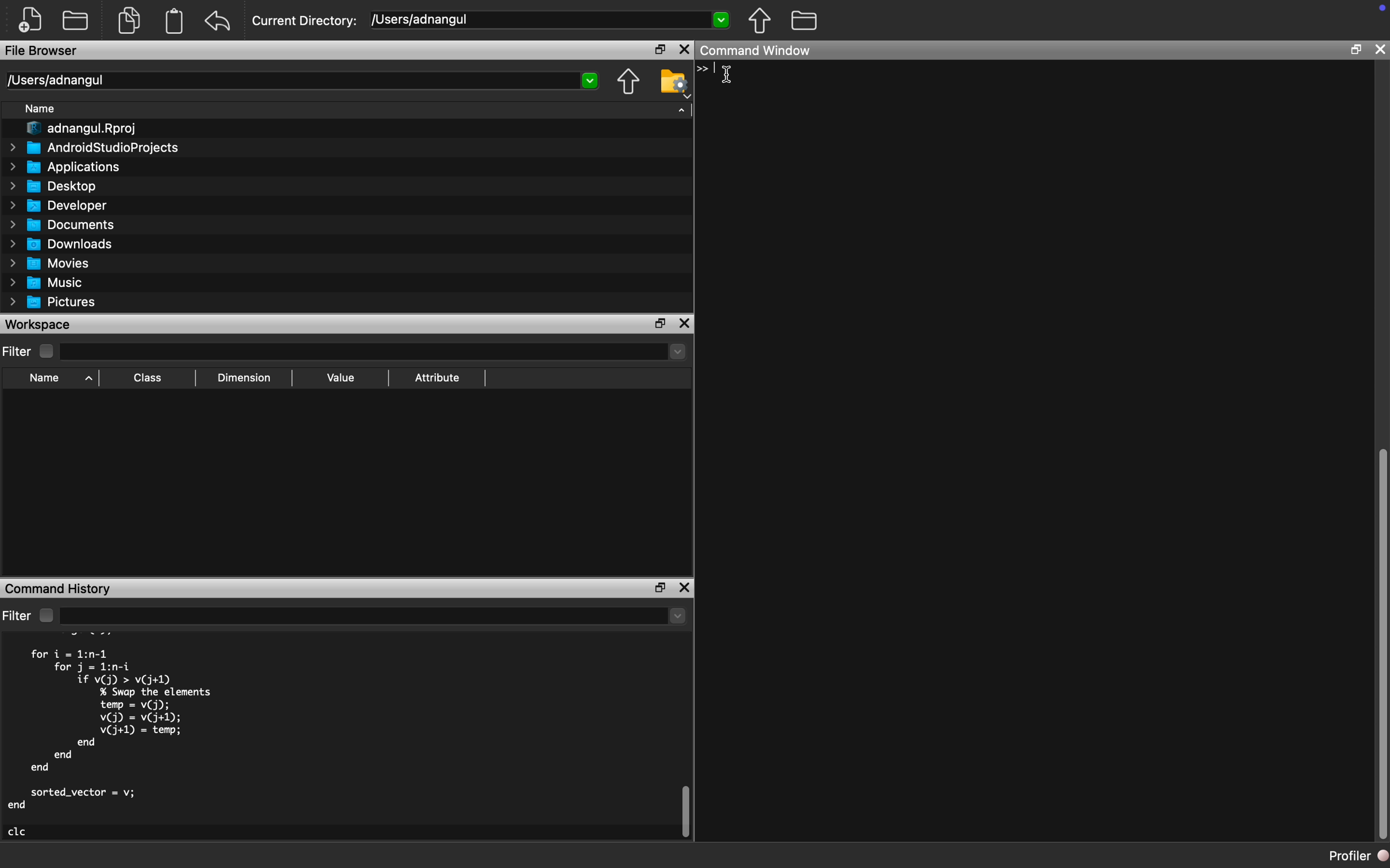 The image size is (1390, 868). Describe the element at coordinates (46, 615) in the screenshot. I see `Checkbox` at that location.